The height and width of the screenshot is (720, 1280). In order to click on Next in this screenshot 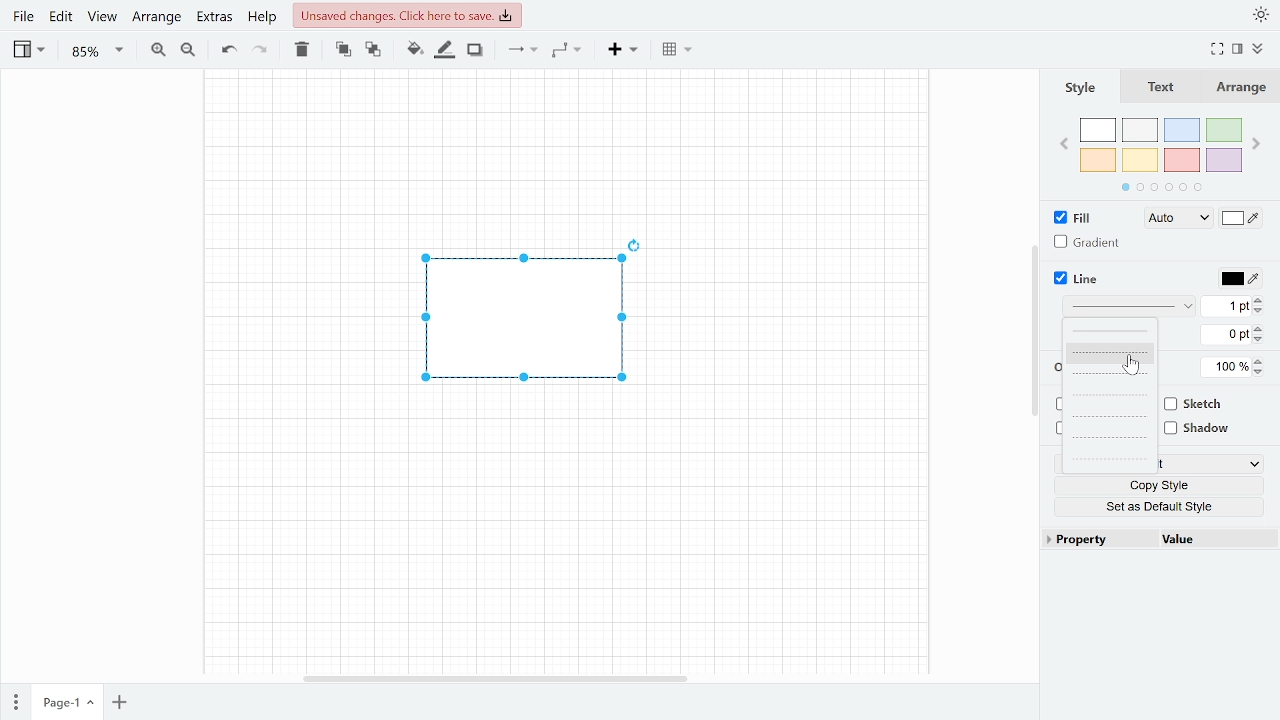, I will do `click(1259, 141)`.